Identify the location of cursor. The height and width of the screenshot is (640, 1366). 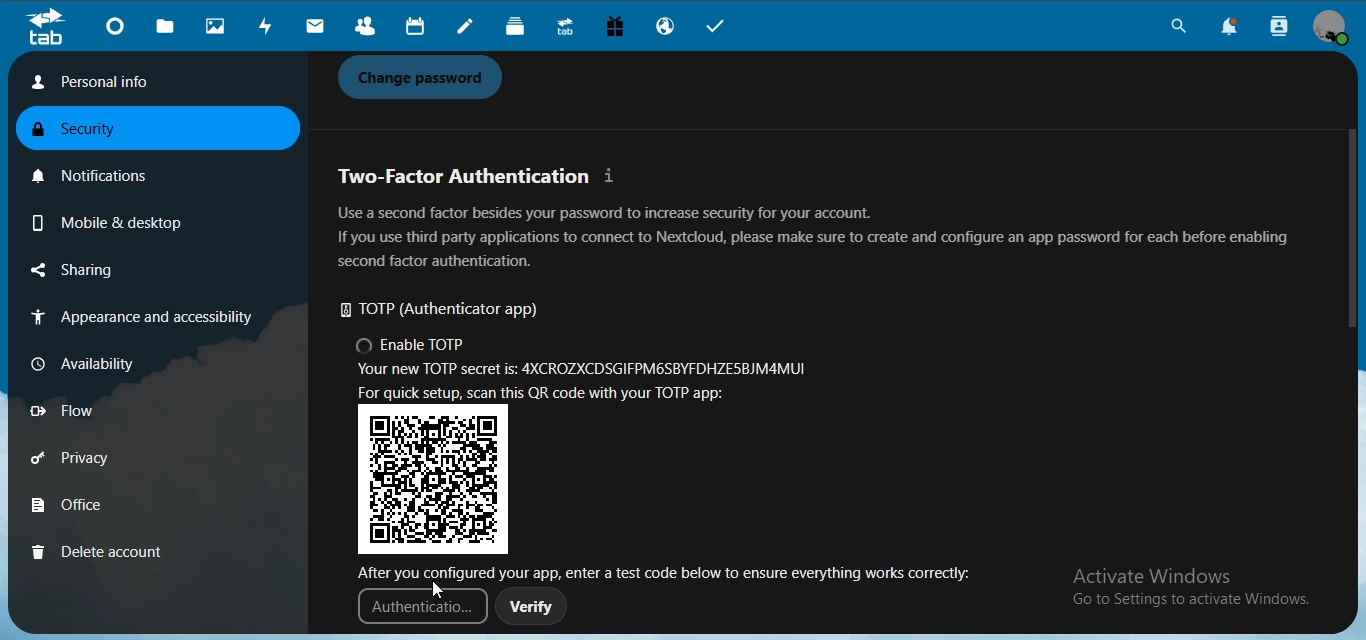
(439, 590).